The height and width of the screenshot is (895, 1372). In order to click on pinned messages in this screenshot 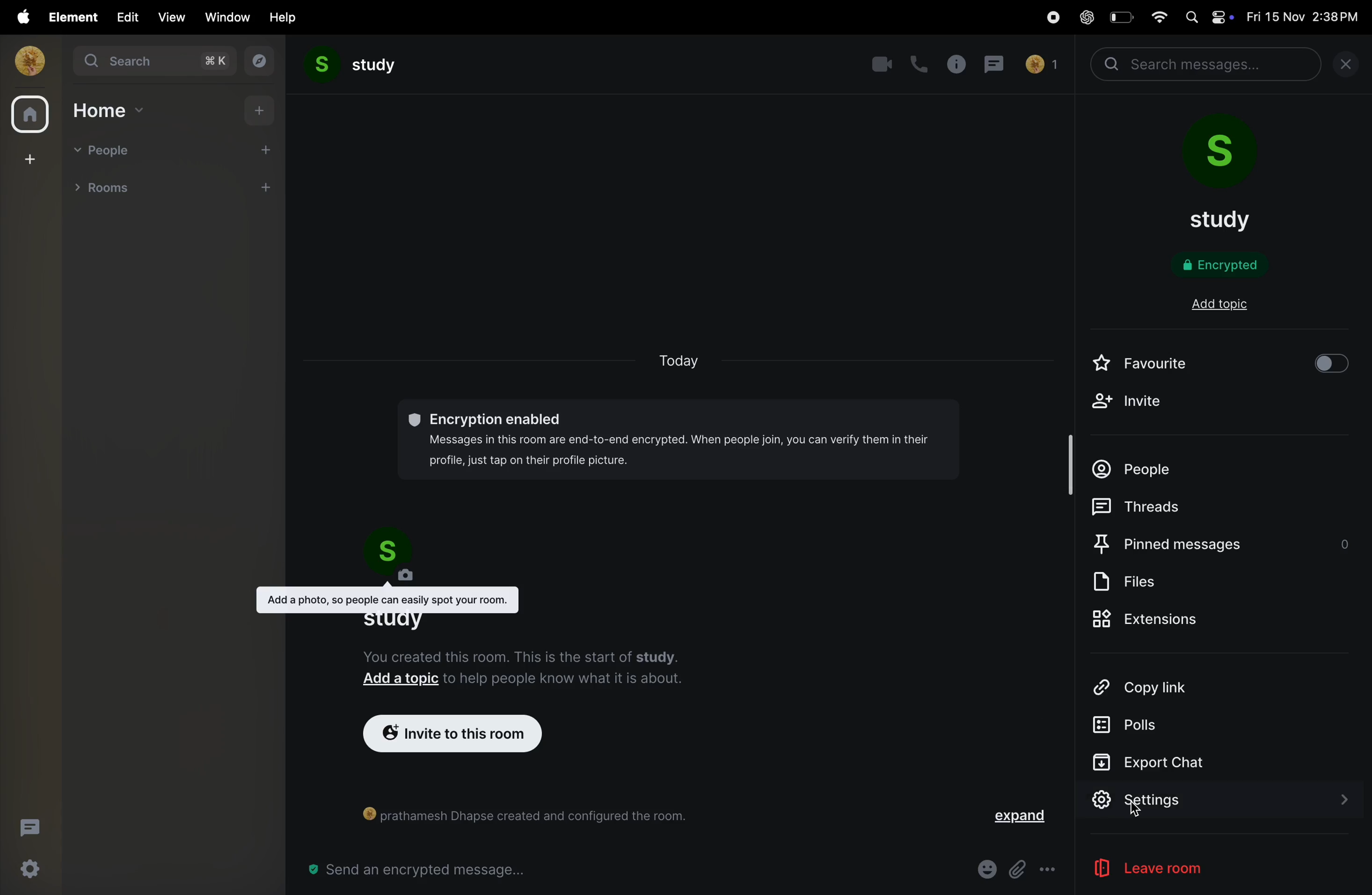, I will do `click(1220, 540)`.